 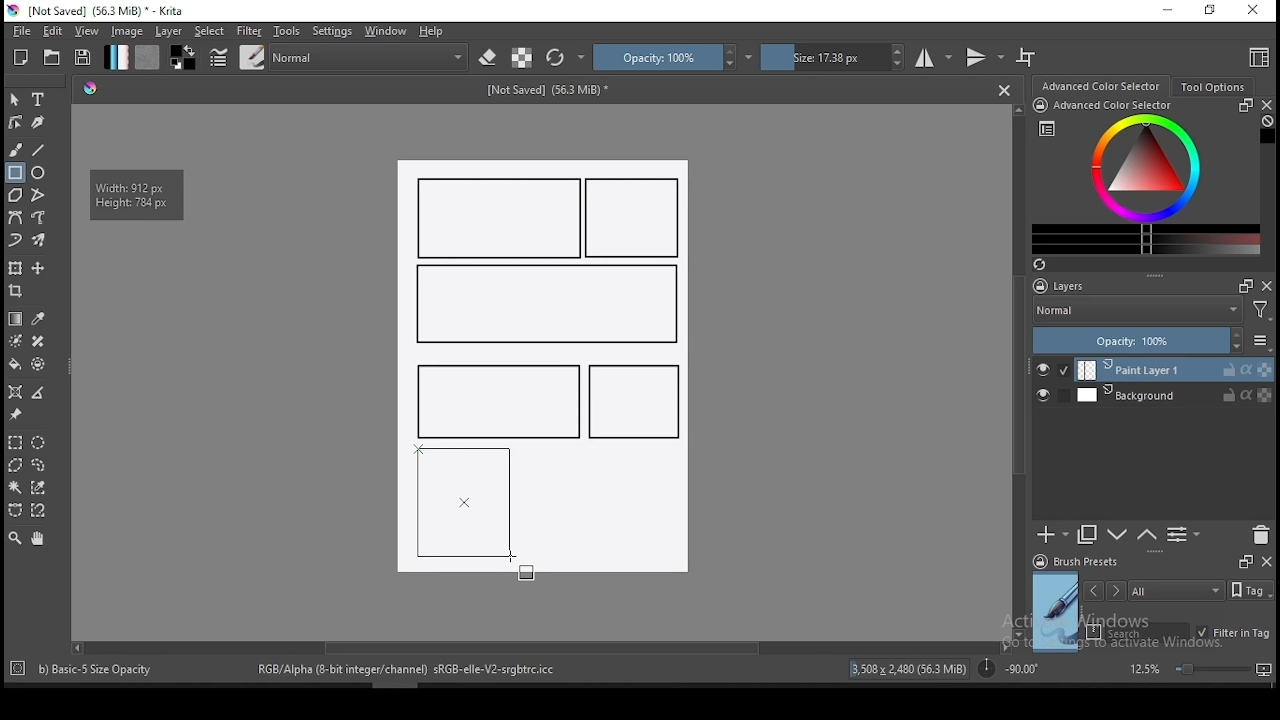 I want to click on polyline tool, so click(x=38, y=193).